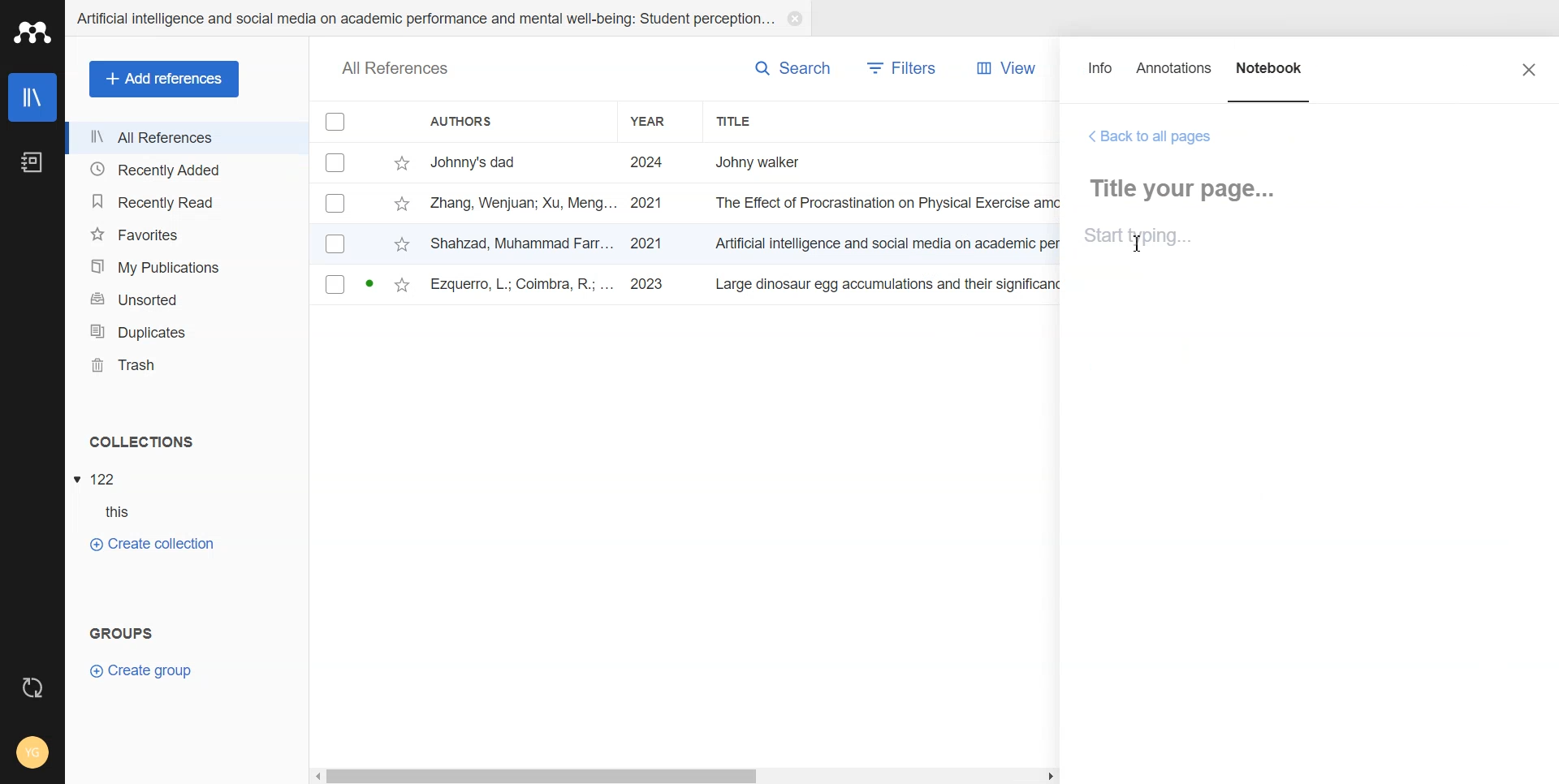 Image resolution: width=1559 pixels, height=784 pixels. I want to click on all references, so click(395, 70).